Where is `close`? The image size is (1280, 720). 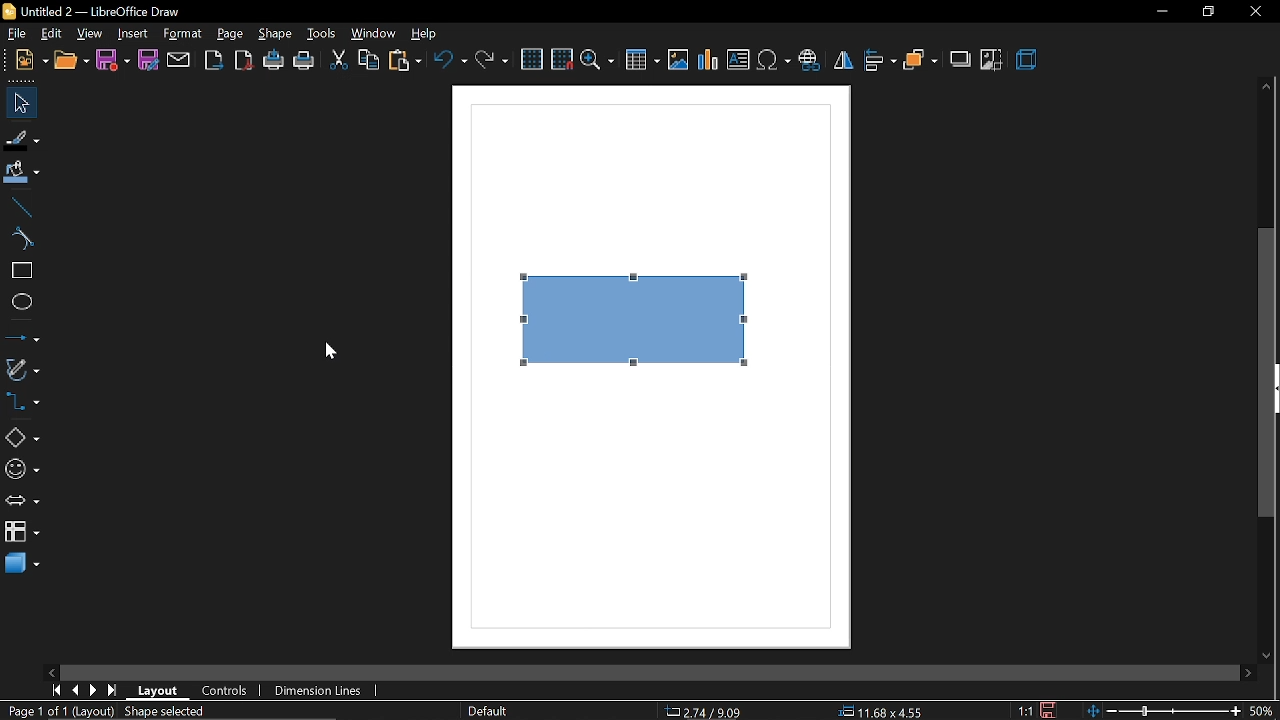 close is located at coordinates (1256, 12).